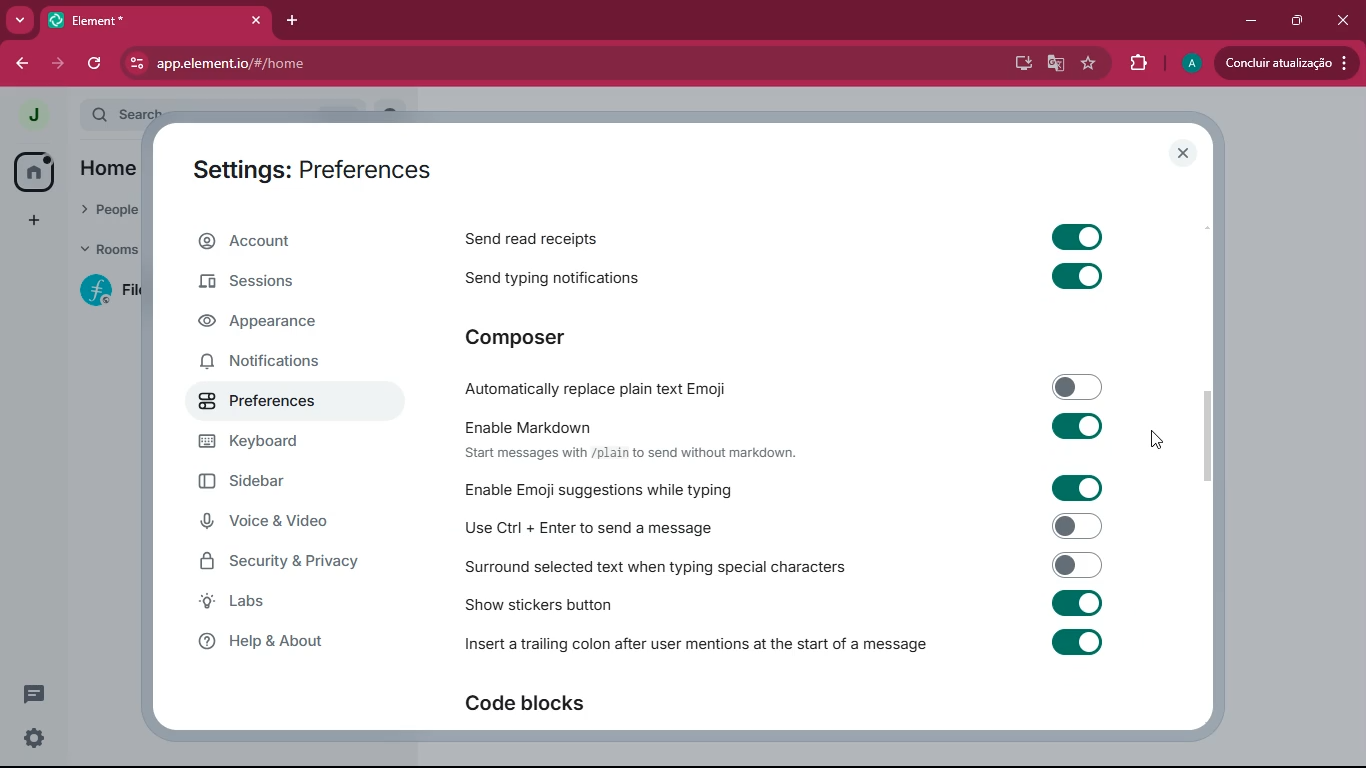 The width and height of the screenshot is (1366, 768). What do you see at coordinates (292, 482) in the screenshot?
I see `sidebar` at bounding box center [292, 482].